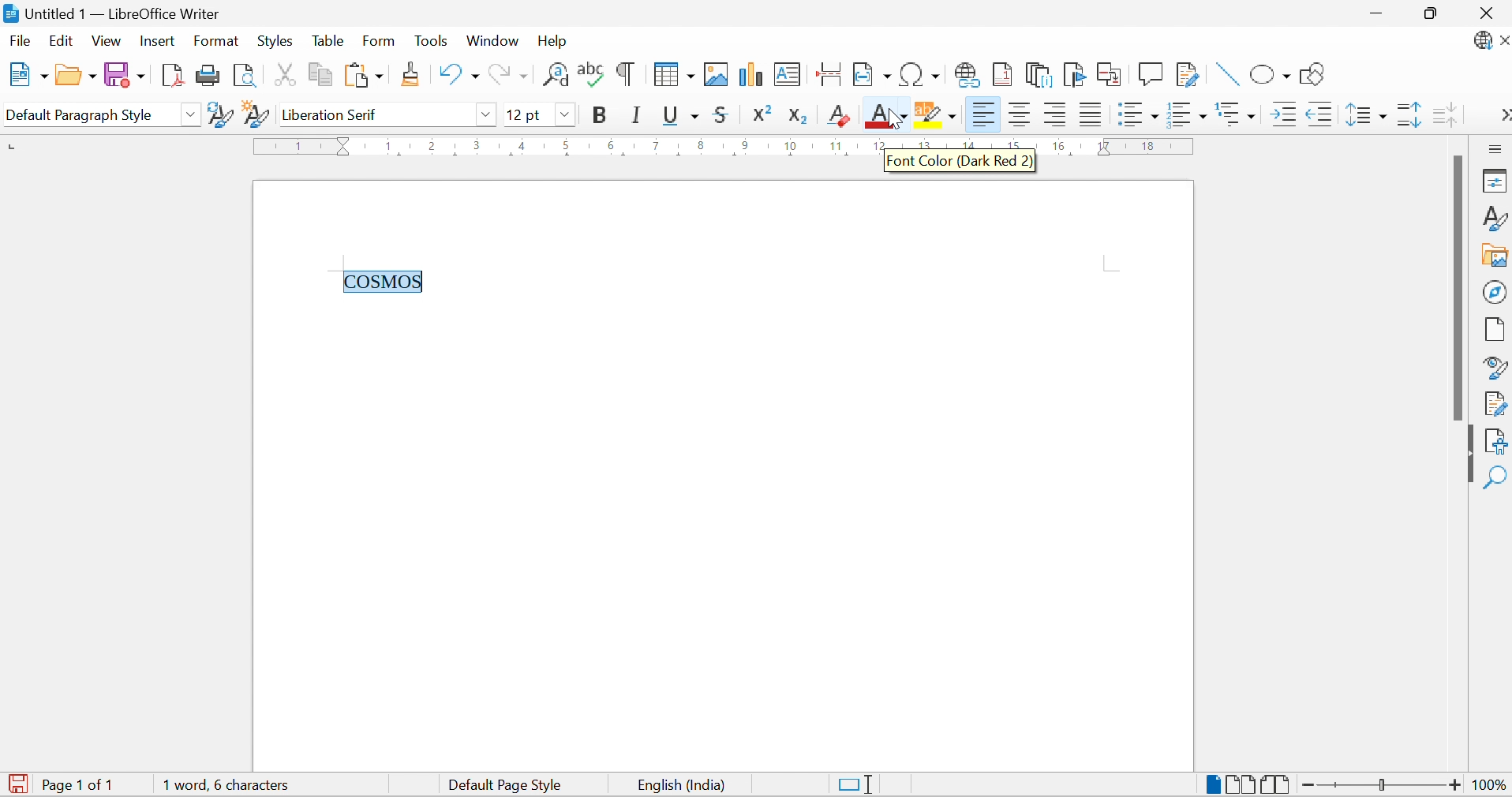  What do you see at coordinates (1136, 112) in the screenshot?
I see `Toggle Unordered List` at bounding box center [1136, 112].